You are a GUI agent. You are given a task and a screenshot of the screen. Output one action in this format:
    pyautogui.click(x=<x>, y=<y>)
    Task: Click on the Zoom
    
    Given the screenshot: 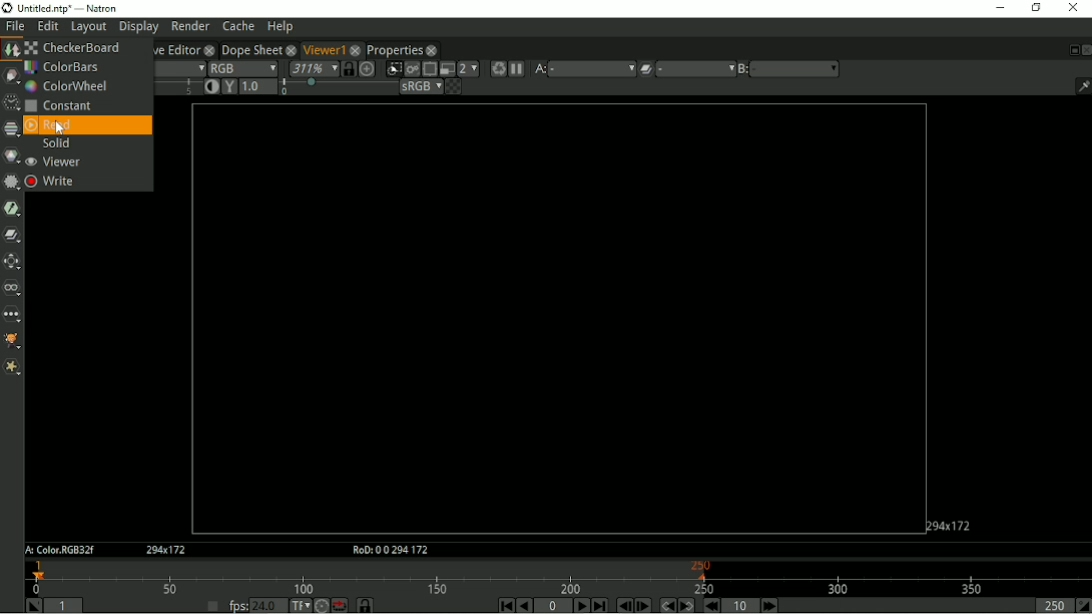 What is the action you would take?
    pyautogui.click(x=312, y=68)
    